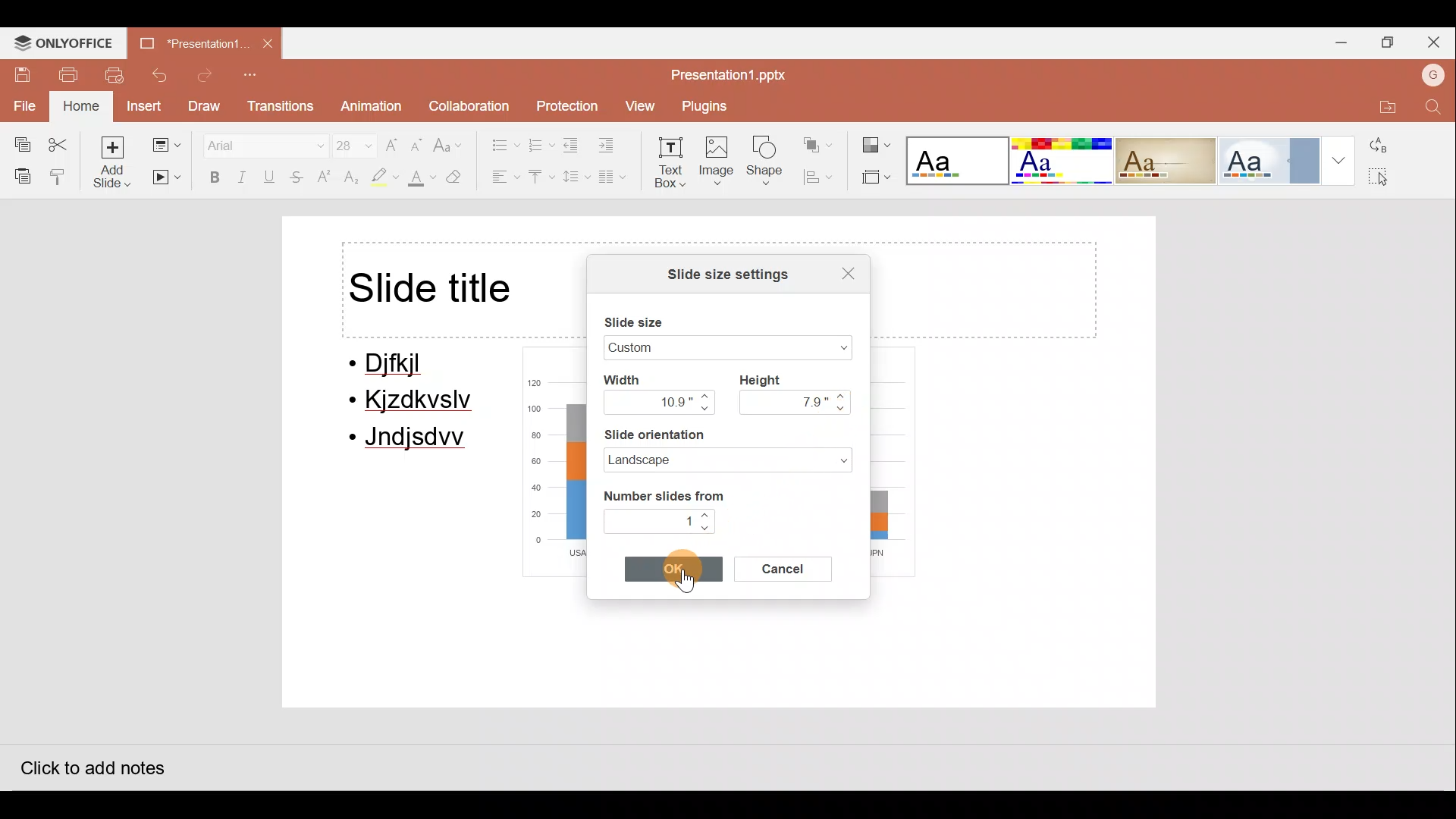 Image resolution: width=1456 pixels, height=819 pixels. Describe the element at coordinates (679, 571) in the screenshot. I see `OK` at that location.